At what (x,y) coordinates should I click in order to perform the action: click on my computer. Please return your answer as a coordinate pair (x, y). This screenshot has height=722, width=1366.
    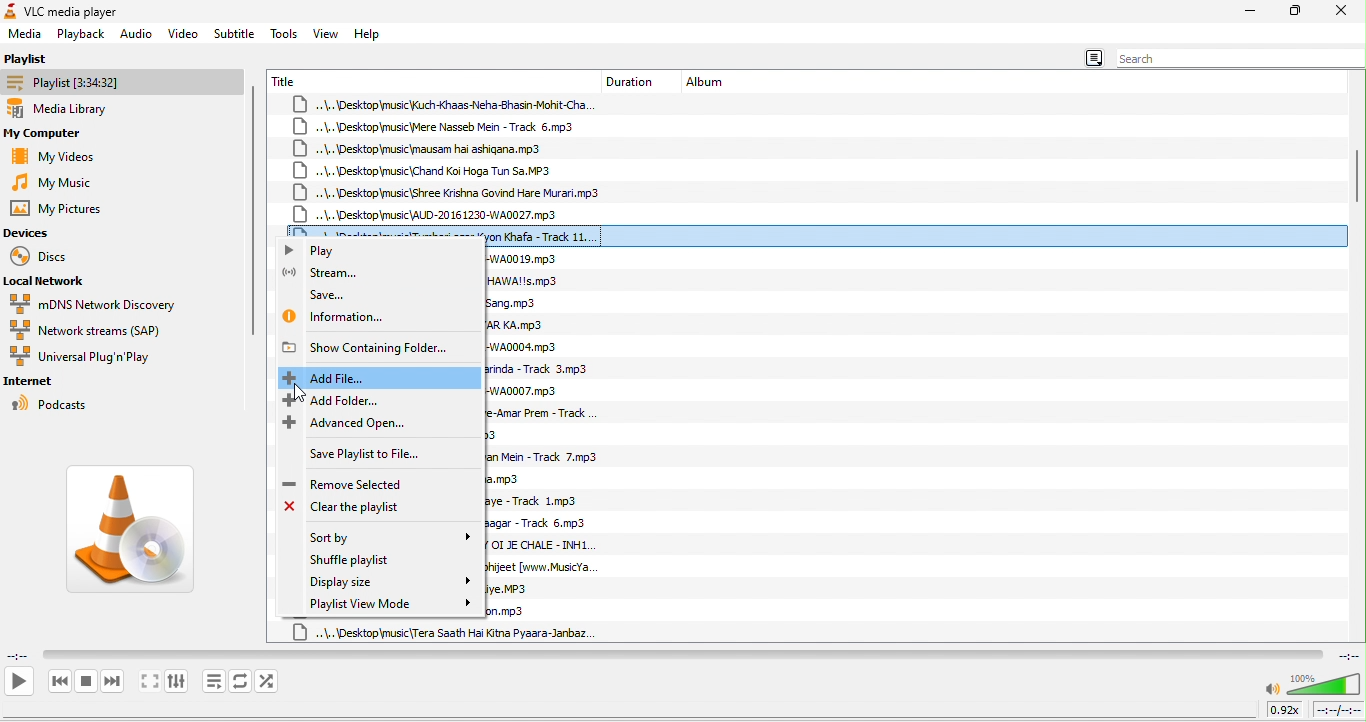
    Looking at the image, I should click on (59, 134).